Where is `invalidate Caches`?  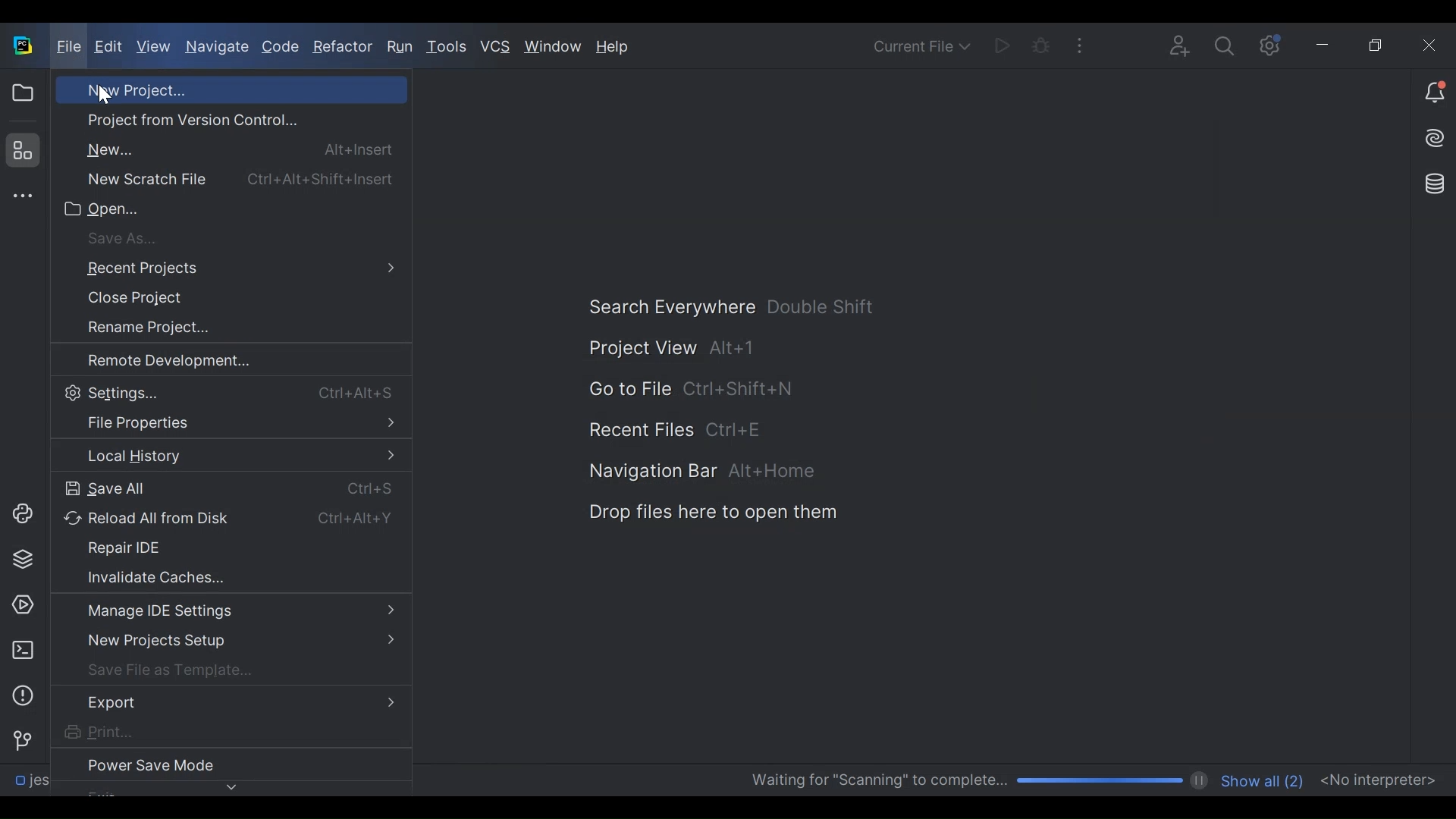 invalidate Caches is located at coordinates (210, 576).